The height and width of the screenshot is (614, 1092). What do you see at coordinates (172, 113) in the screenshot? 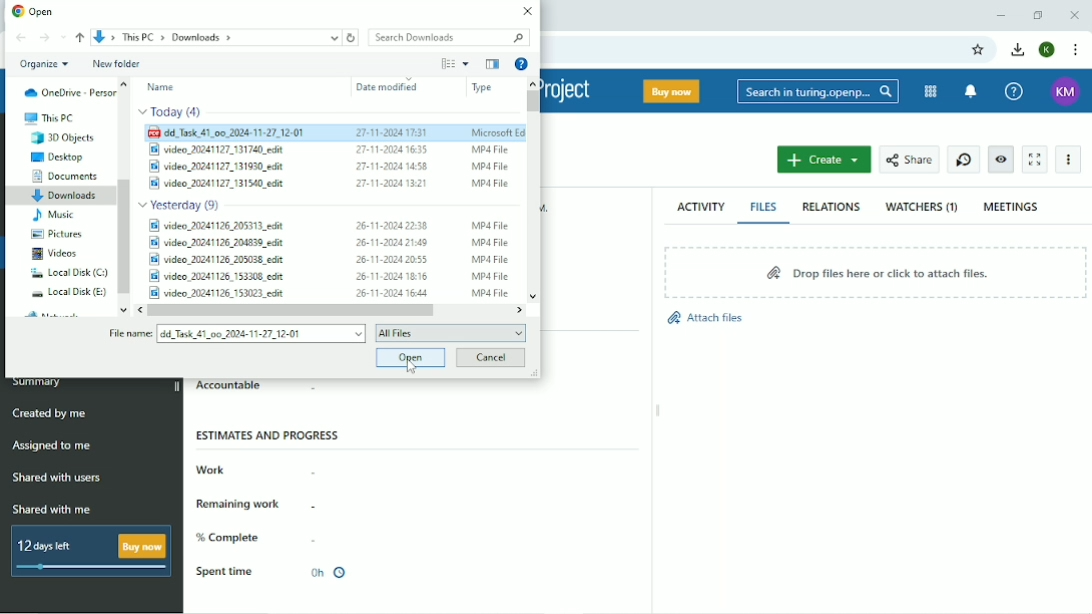
I see `Today` at bounding box center [172, 113].